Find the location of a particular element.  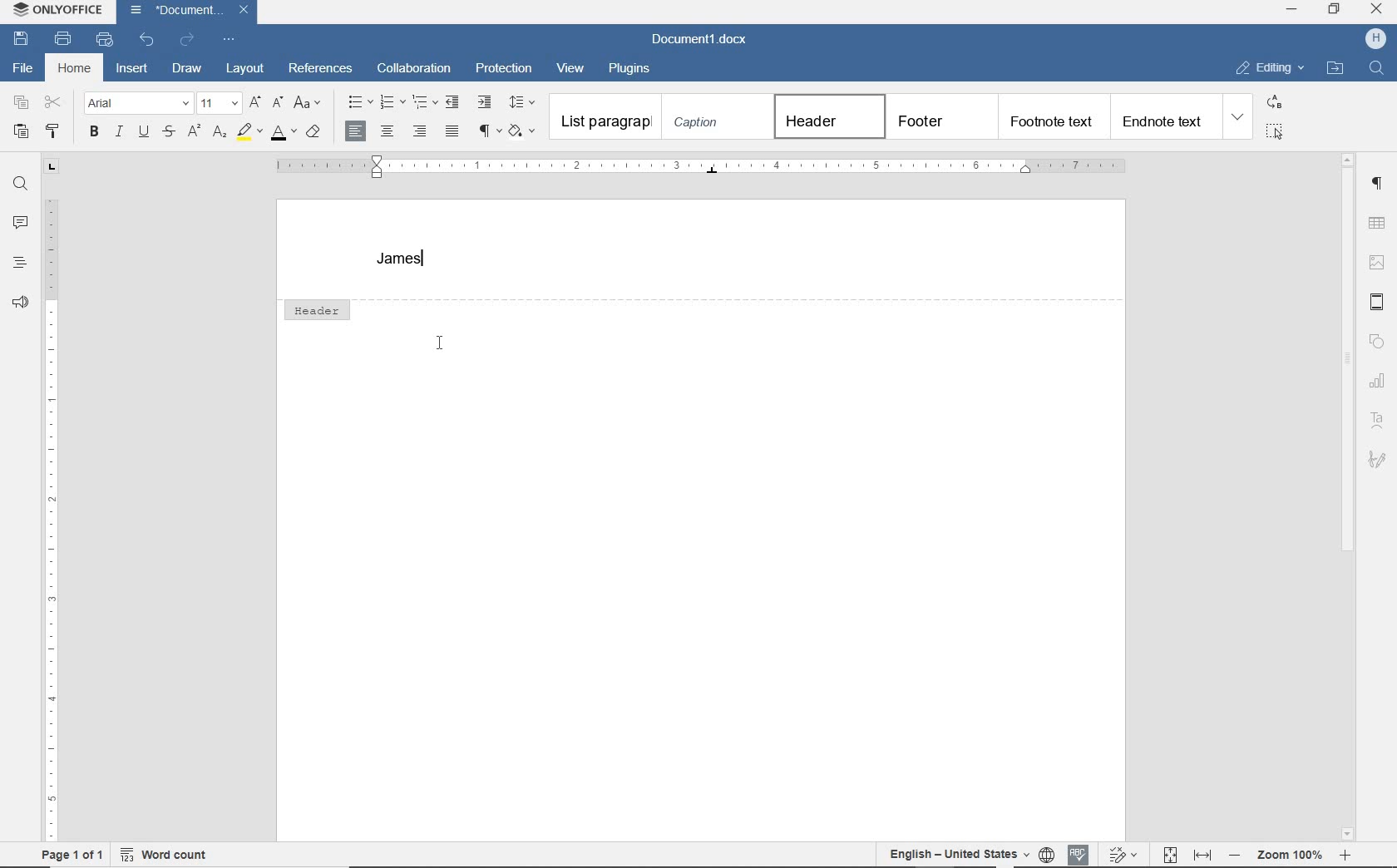

text language is located at coordinates (955, 852).